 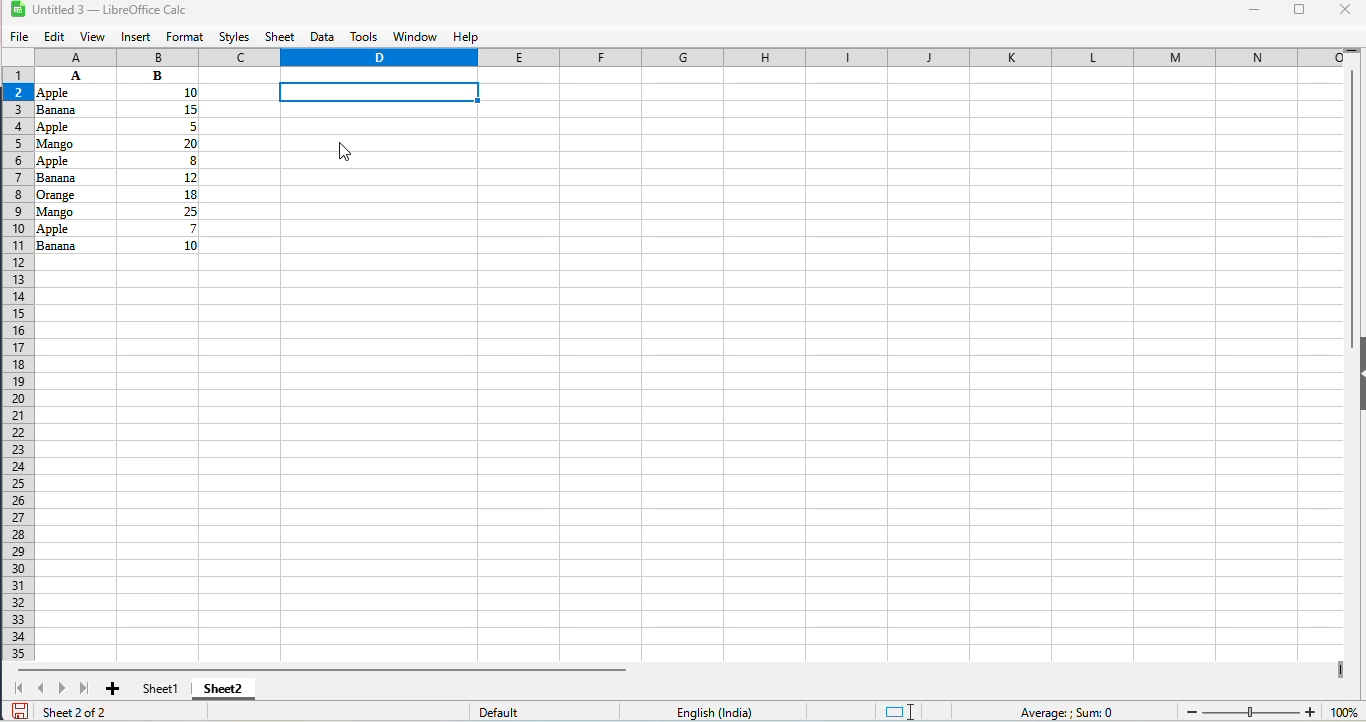 I want to click on scroll to next sheet, so click(x=64, y=688).